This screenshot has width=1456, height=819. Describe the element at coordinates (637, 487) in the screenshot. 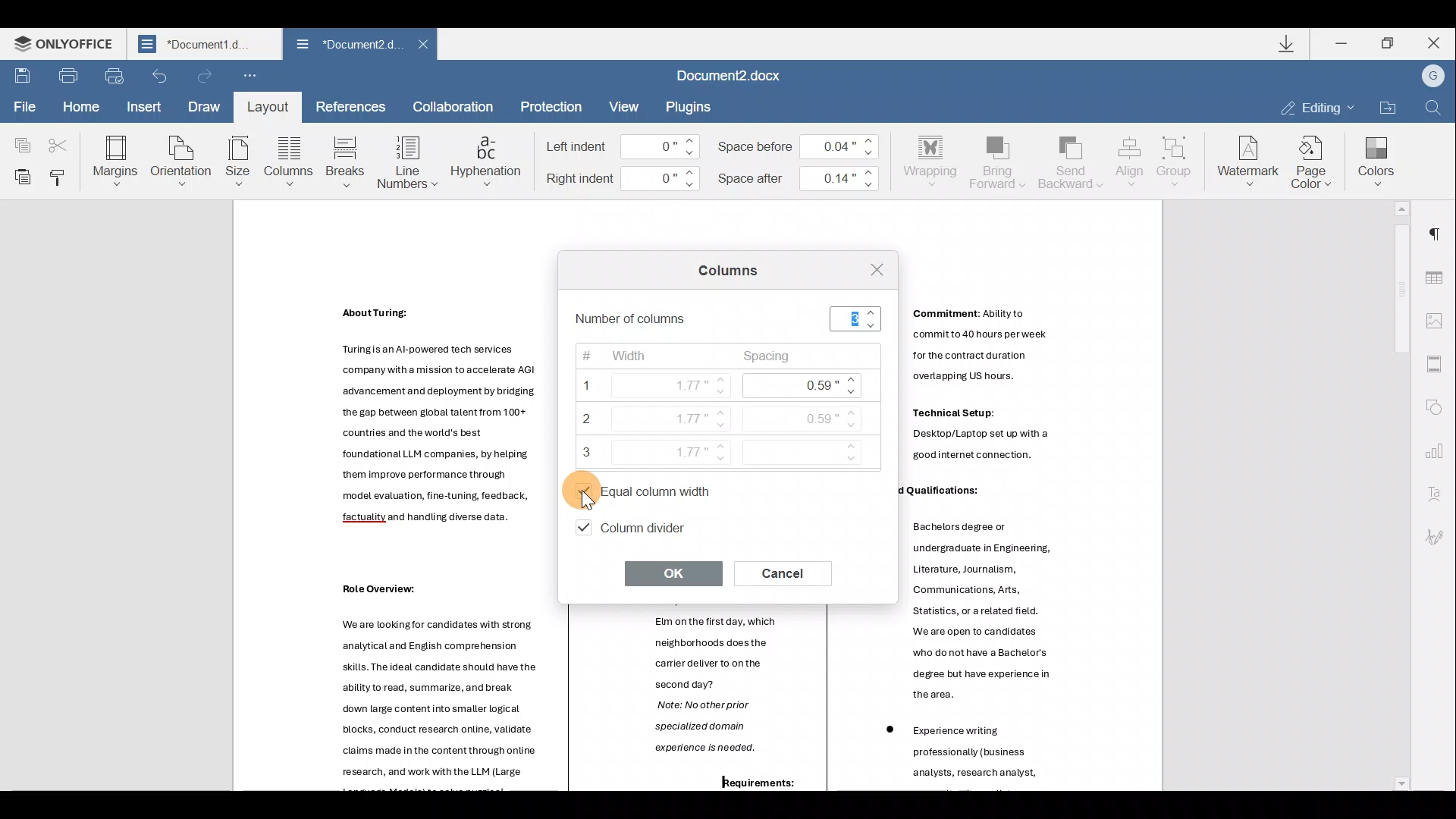

I see `Equal column width` at that location.